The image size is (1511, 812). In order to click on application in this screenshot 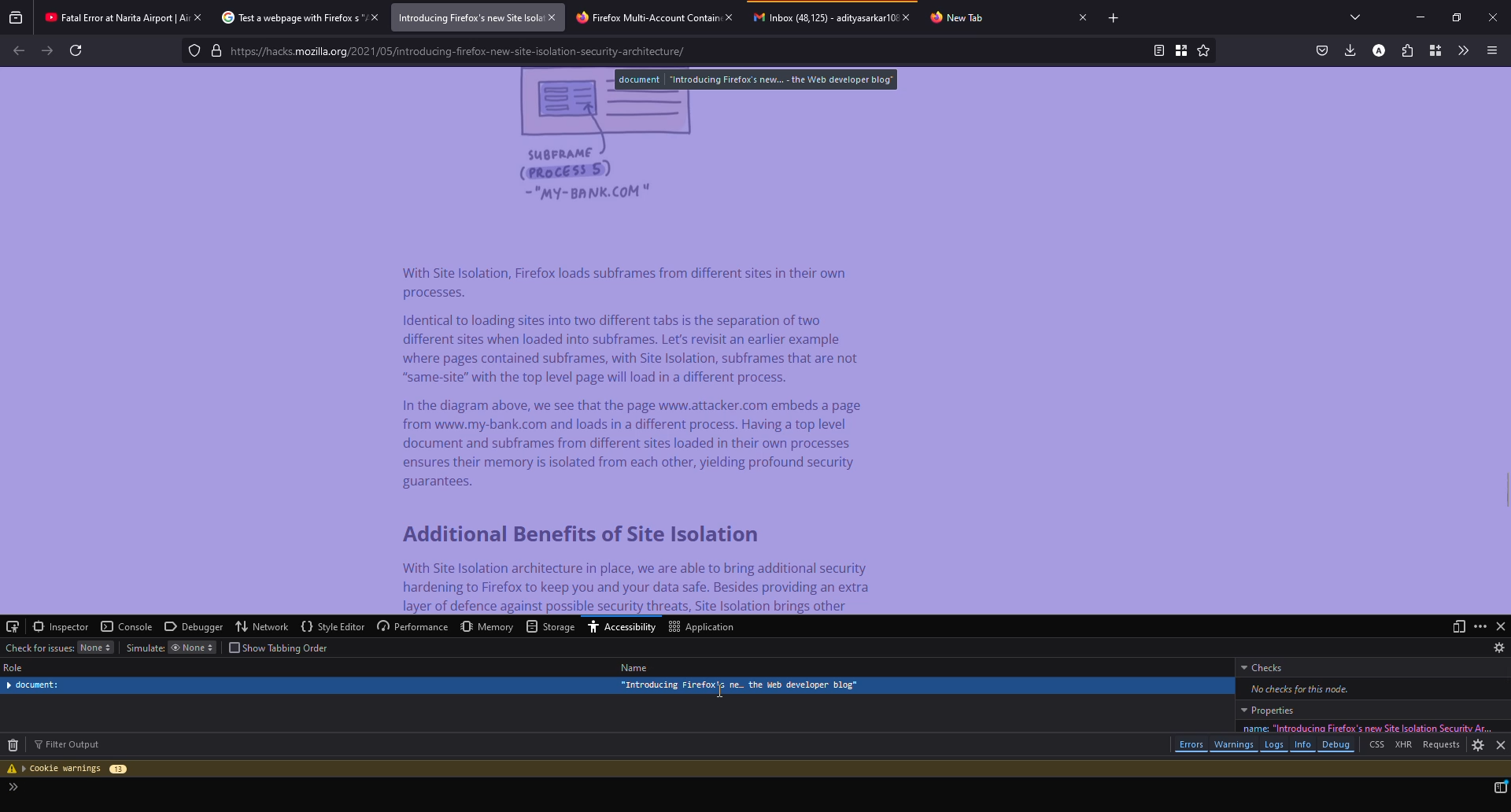, I will do `click(704, 627)`.